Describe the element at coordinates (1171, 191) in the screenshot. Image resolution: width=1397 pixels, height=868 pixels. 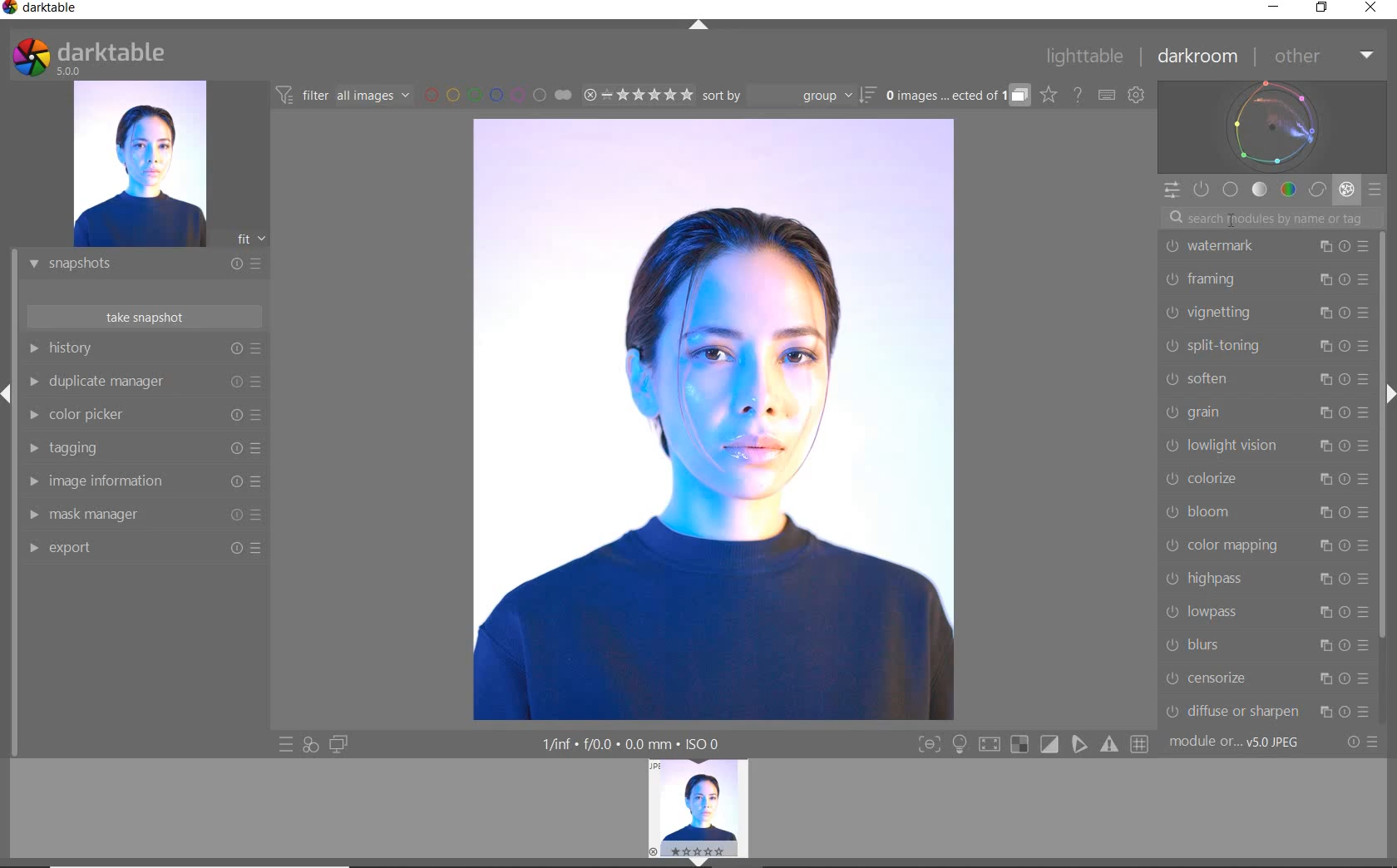
I see `QUICK ACCESS PANEL` at that location.